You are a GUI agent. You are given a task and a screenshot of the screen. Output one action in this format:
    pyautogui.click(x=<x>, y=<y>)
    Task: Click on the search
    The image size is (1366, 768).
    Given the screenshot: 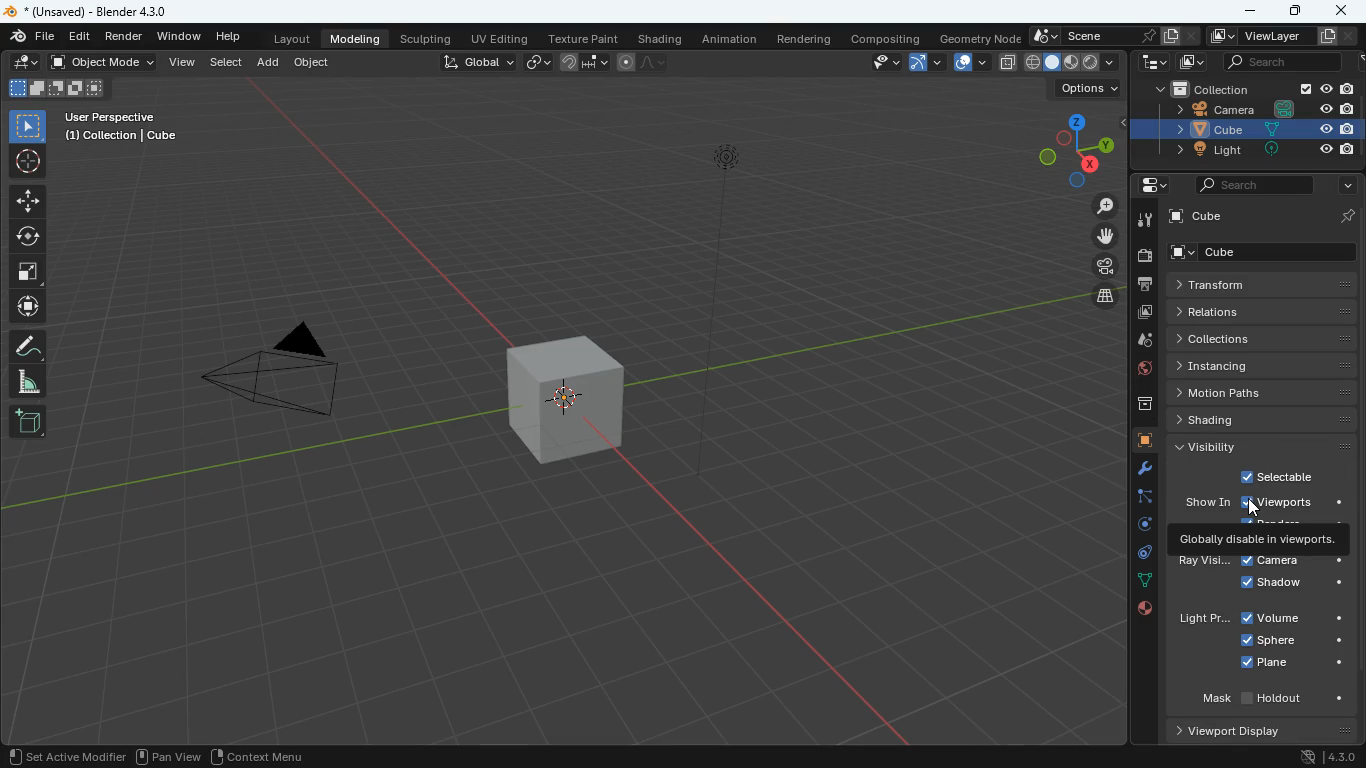 What is the action you would take?
    pyautogui.click(x=1244, y=185)
    